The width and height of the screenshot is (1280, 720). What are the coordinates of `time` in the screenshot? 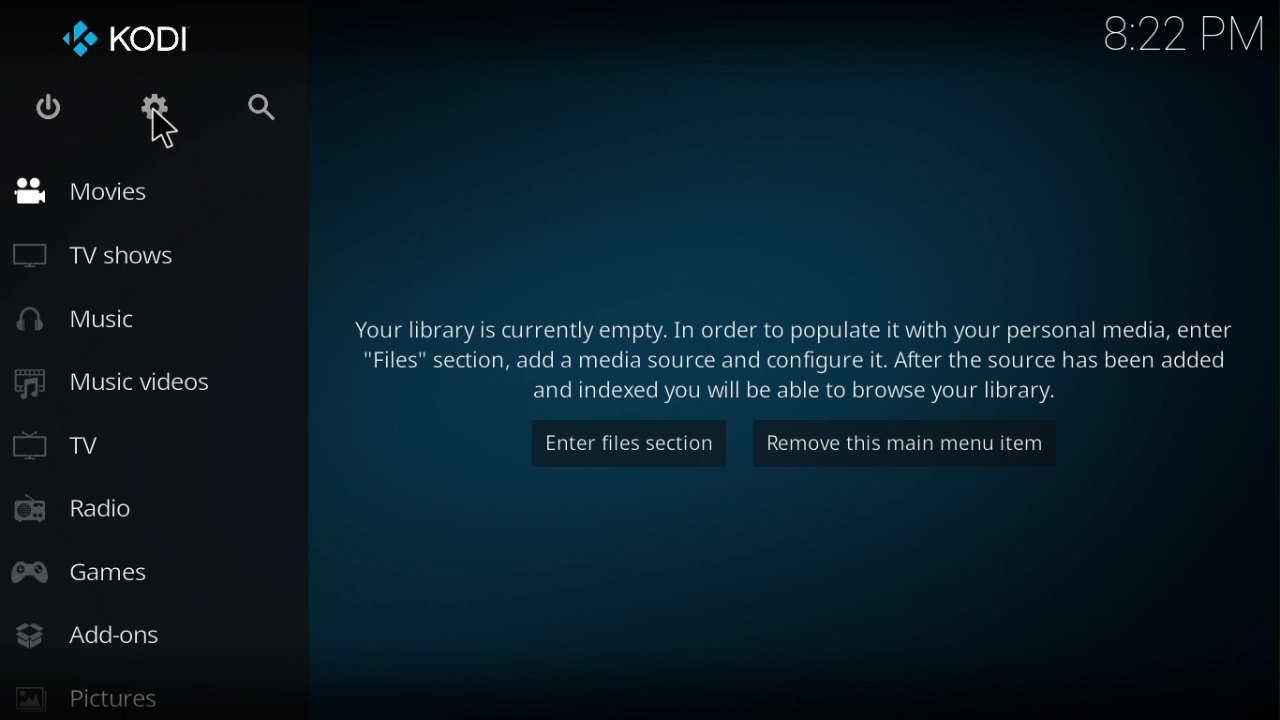 It's located at (1183, 32).